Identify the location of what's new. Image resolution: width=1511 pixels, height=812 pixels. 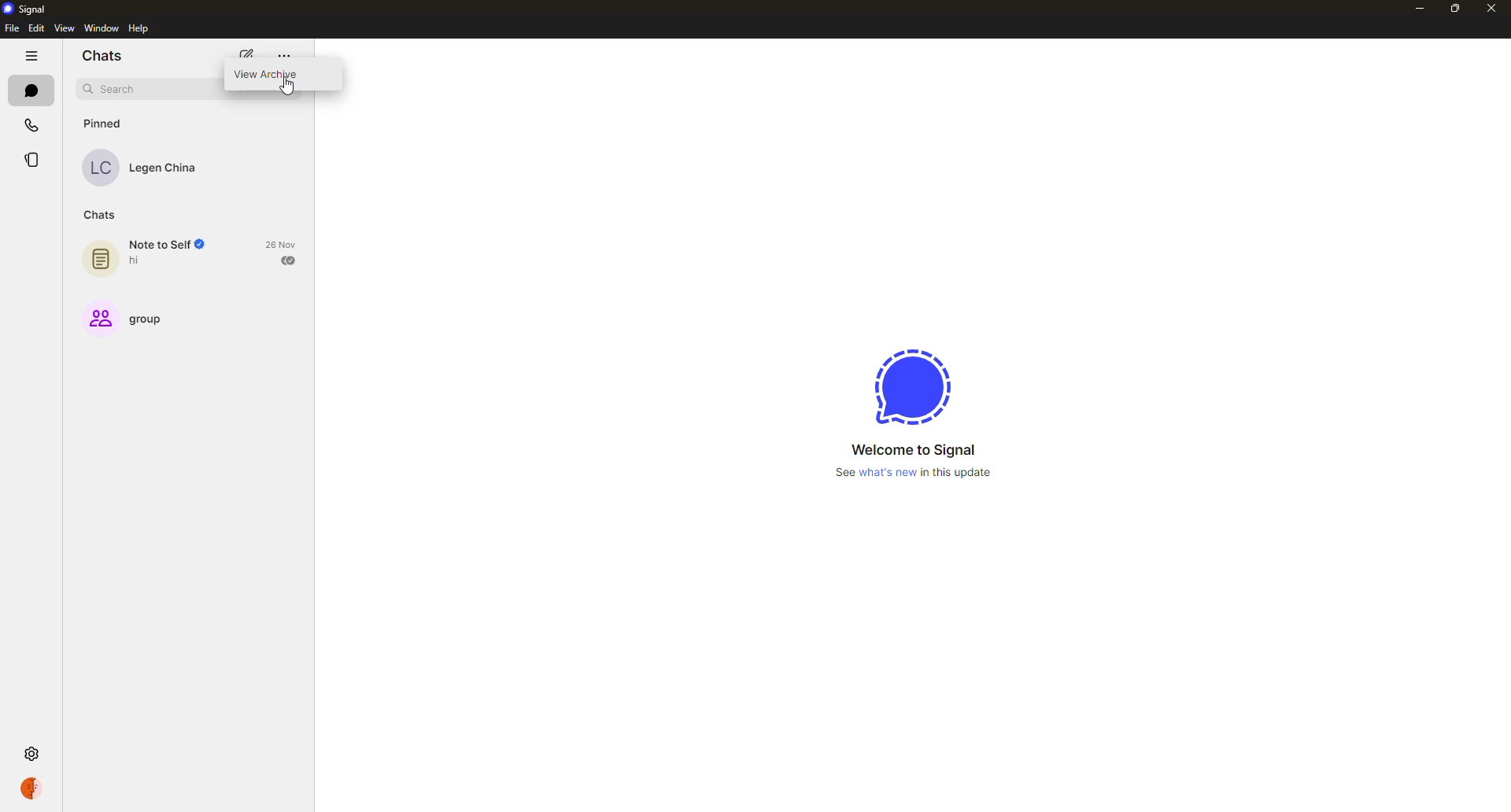
(916, 472).